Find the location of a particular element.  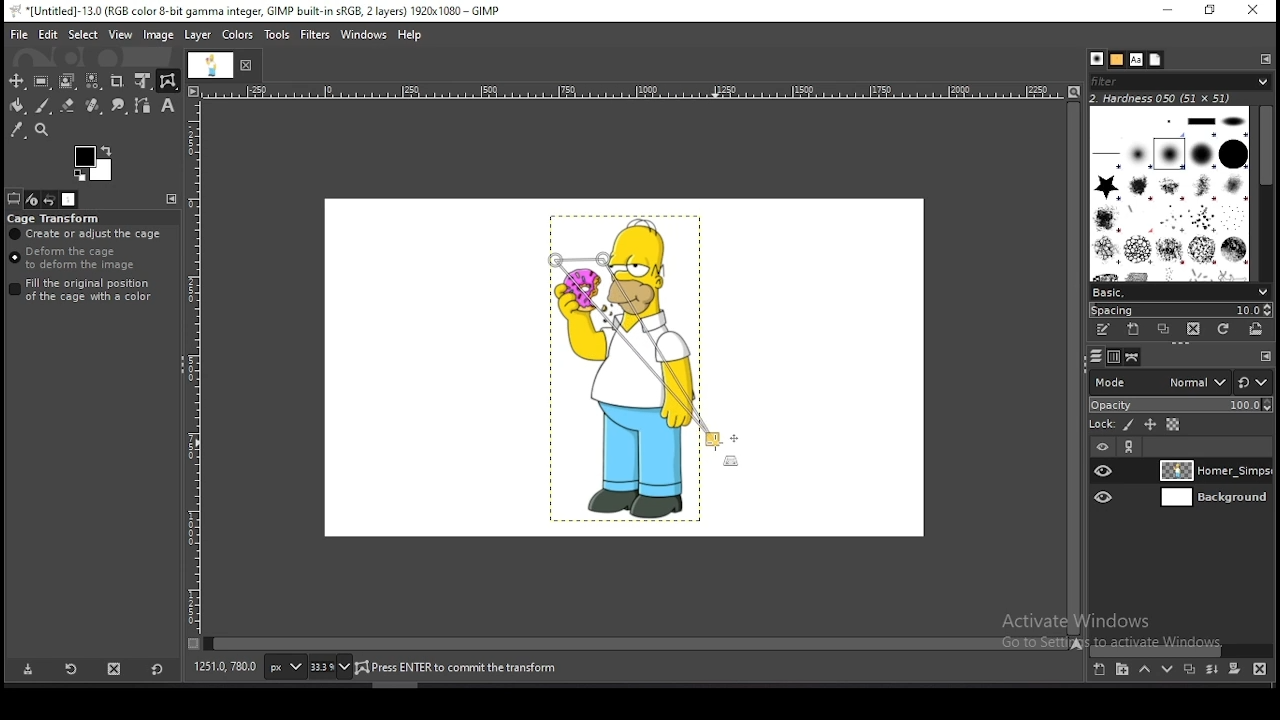

deform the cage to deform the image is located at coordinates (76, 259).